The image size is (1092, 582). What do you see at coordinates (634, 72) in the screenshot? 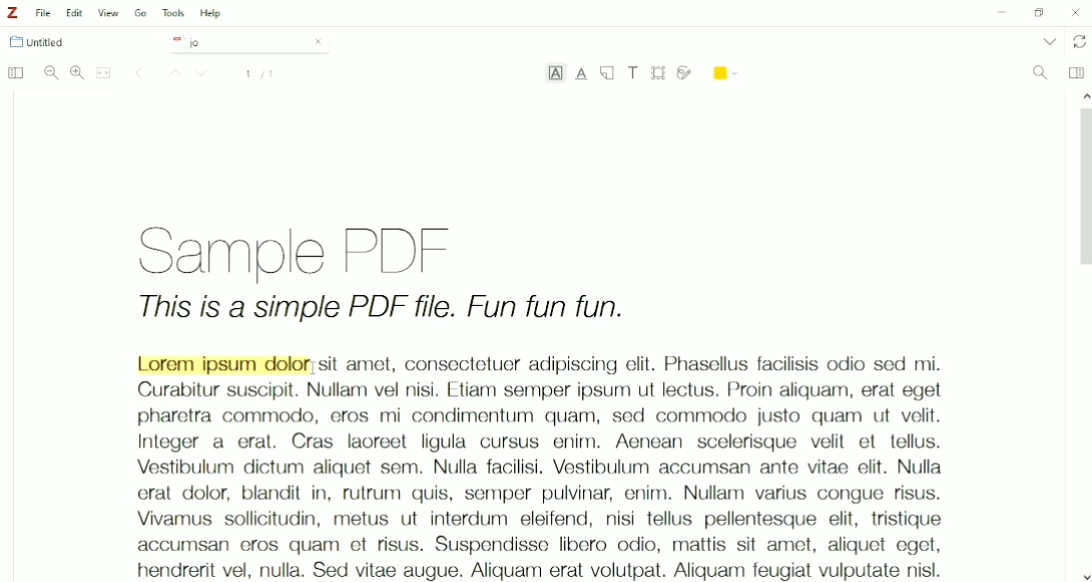
I see `Add Text` at bounding box center [634, 72].